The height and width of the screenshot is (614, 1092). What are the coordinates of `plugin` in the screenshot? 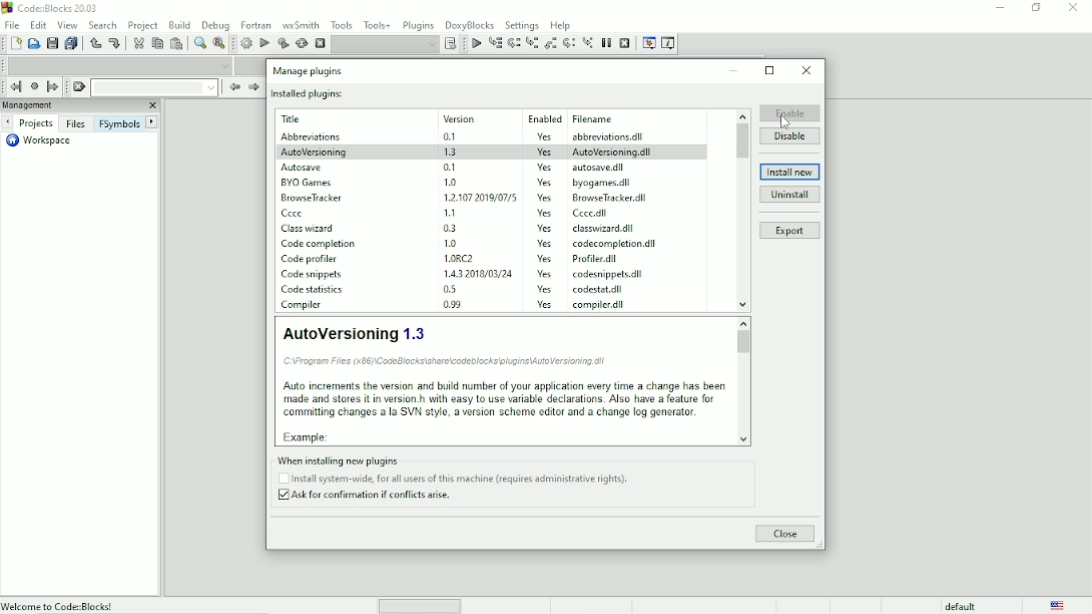 It's located at (303, 304).